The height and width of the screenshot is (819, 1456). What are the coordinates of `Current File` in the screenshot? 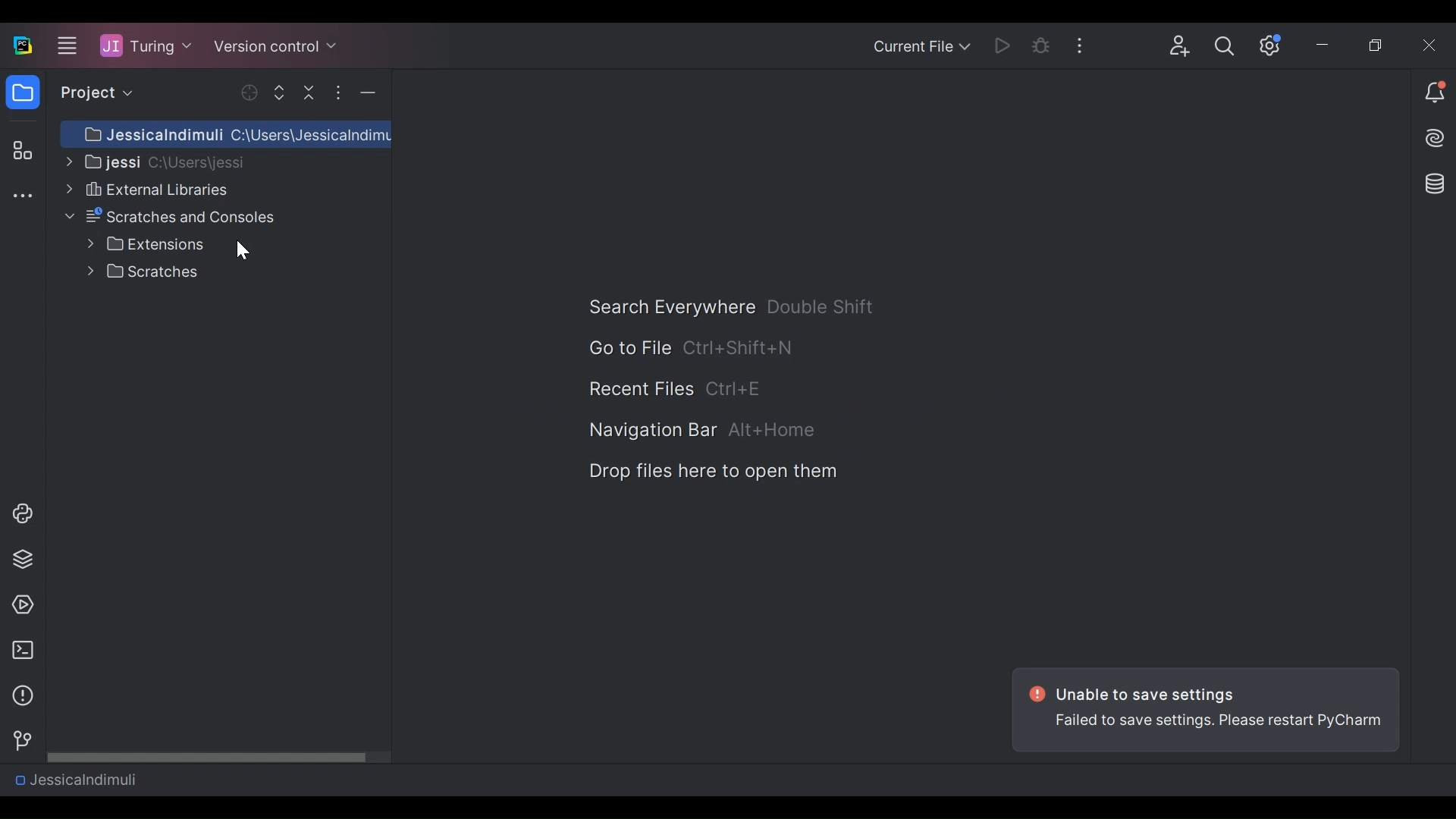 It's located at (921, 48).